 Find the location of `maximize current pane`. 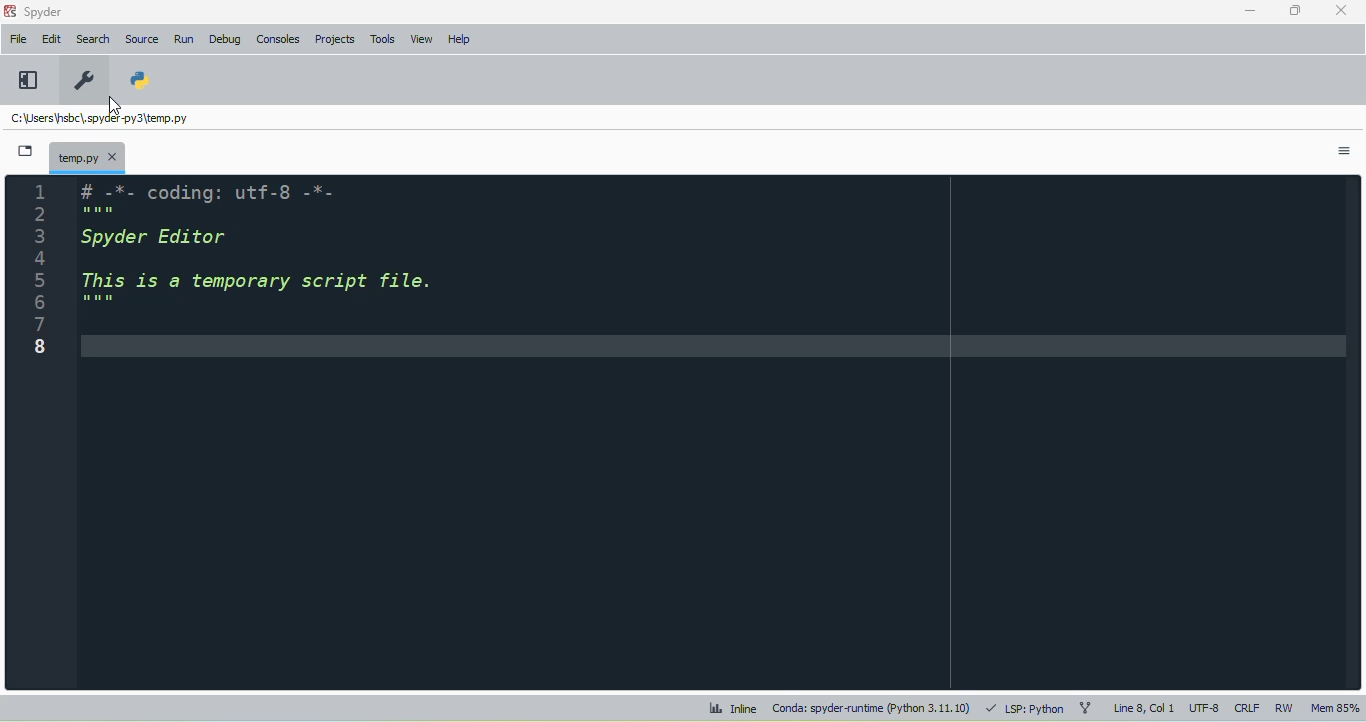

maximize current pane is located at coordinates (29, 80).